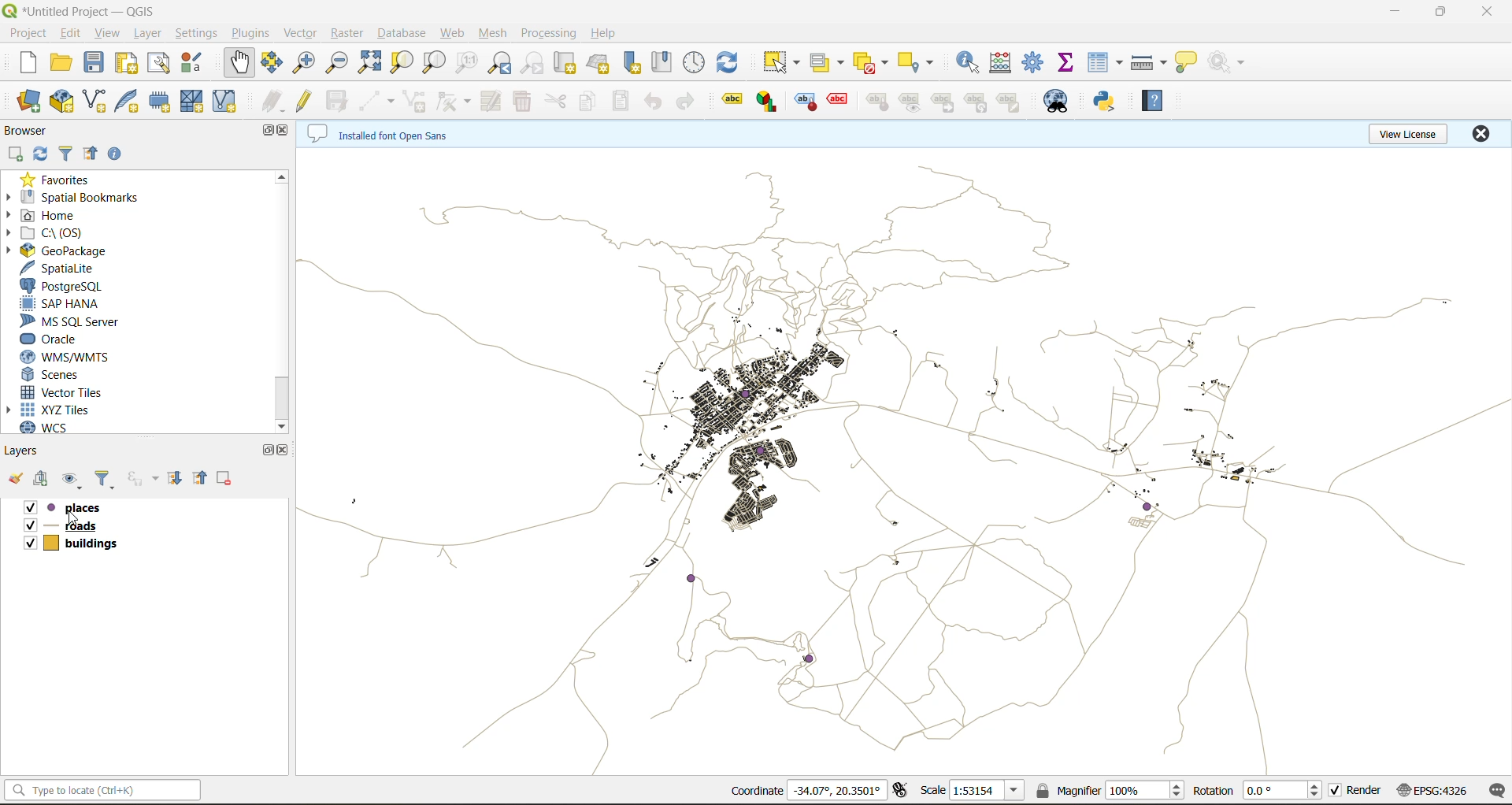 This screenshot has width=1512, height=805. I want to click on processing, so click(550, 33).